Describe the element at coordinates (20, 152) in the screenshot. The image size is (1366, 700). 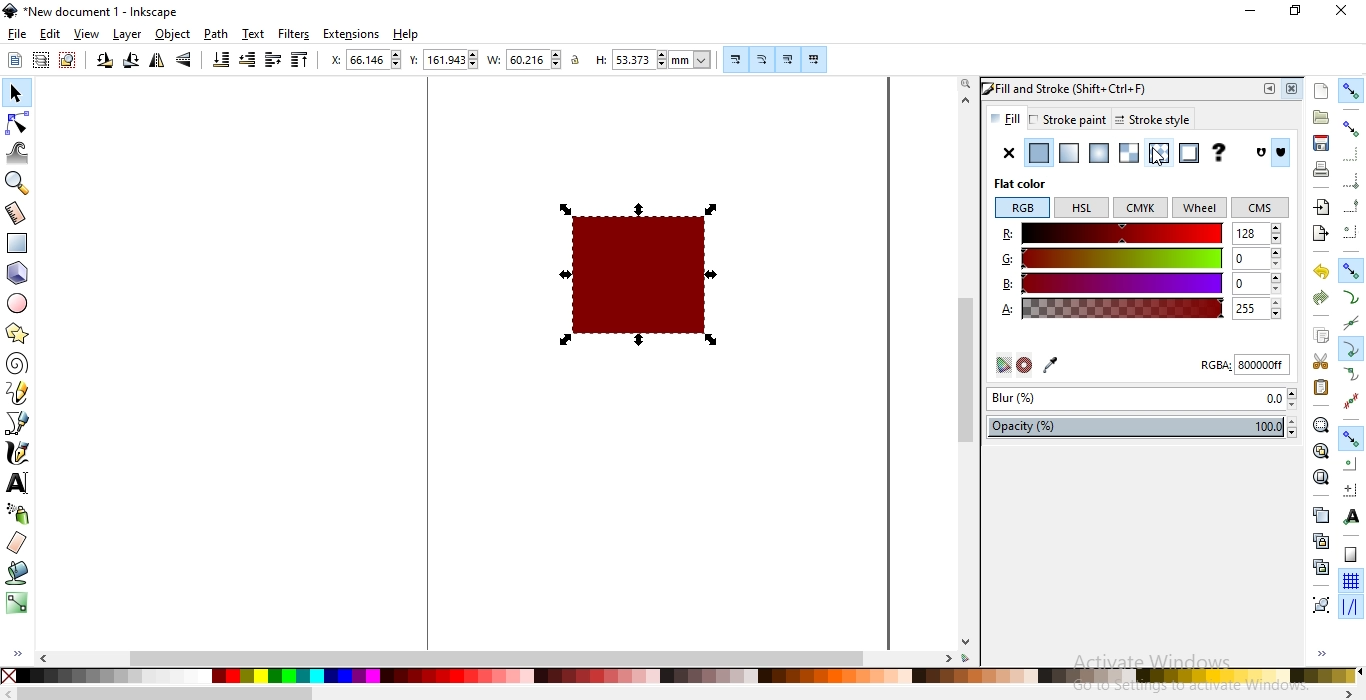
I see `tweak objects by sculpting or painting` at that location.